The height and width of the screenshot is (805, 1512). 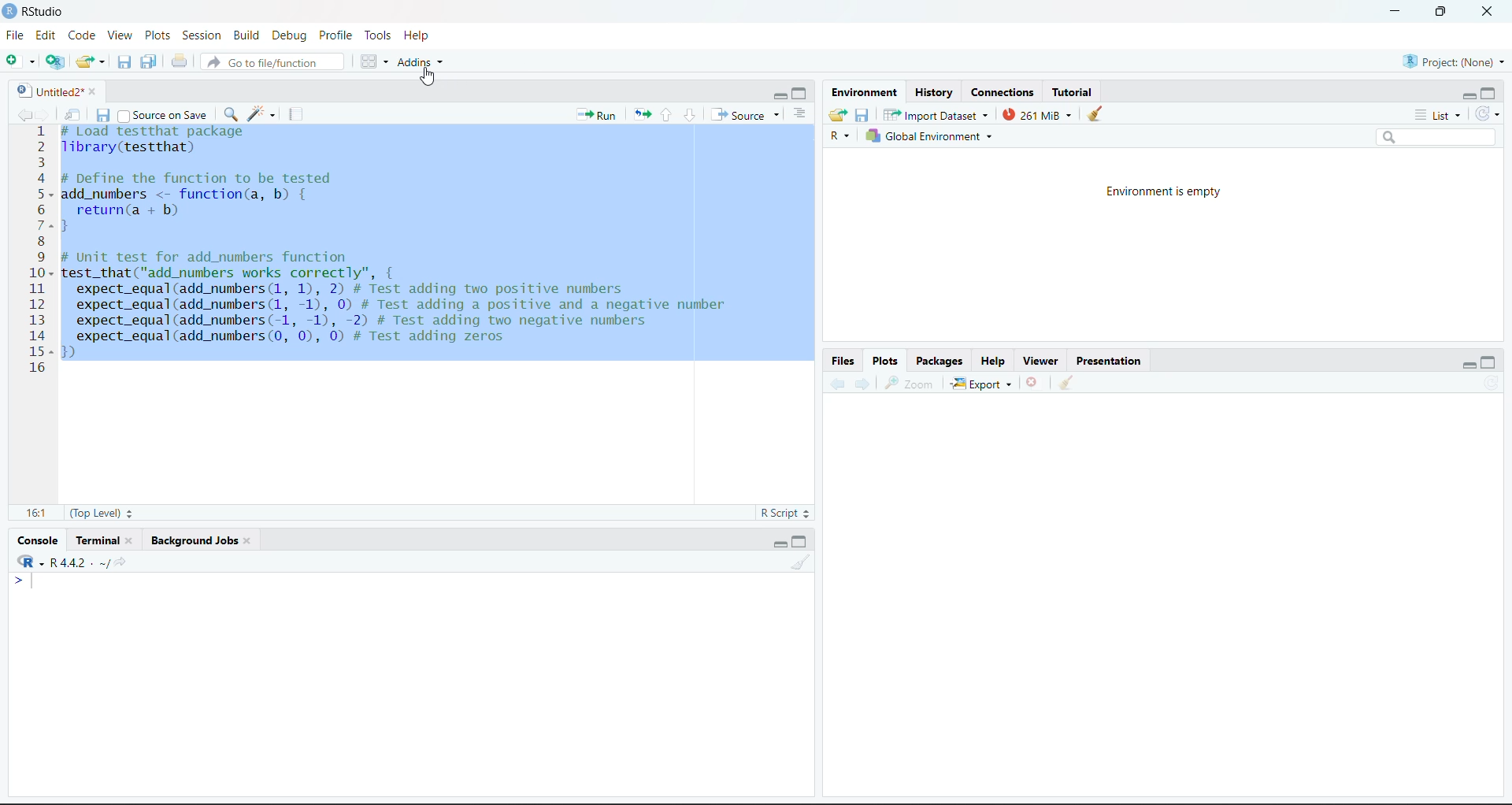 What do you see at coordinates (375, 62) in the screenshot?
I see `Workspace panes` at bounding box center [375, 62].